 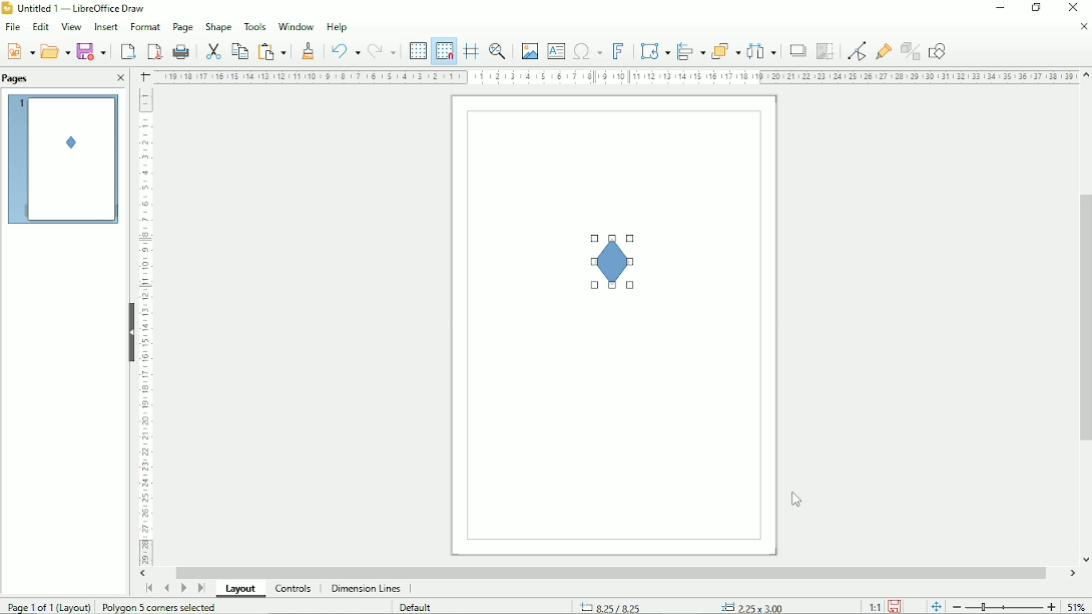 I want to click on Scaling factor, so click(x=874, y=606).